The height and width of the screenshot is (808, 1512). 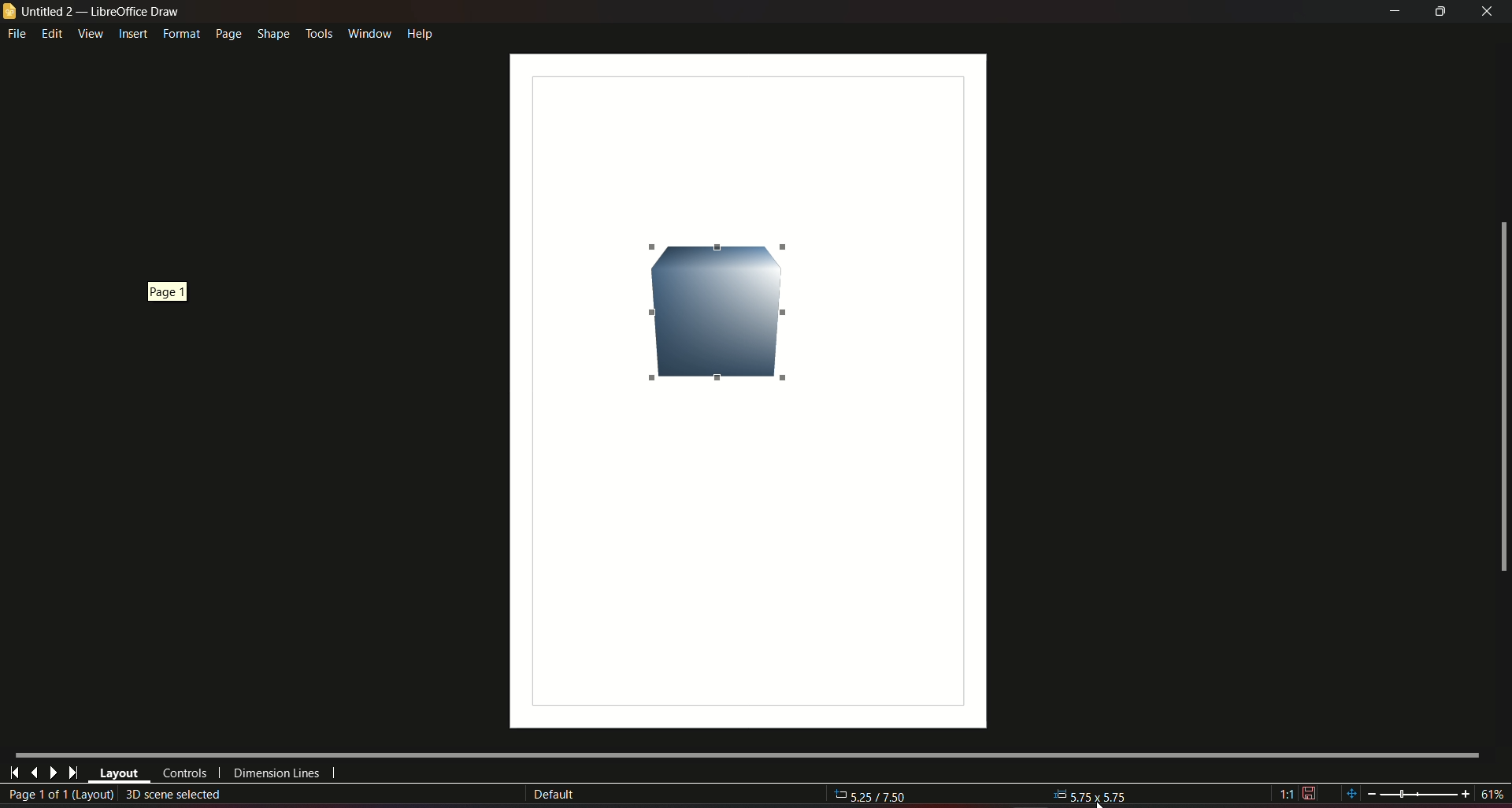 What do you see at coordinates (272, 32) in the screenshot?
I see `shape` at bounding box center [272, 32].